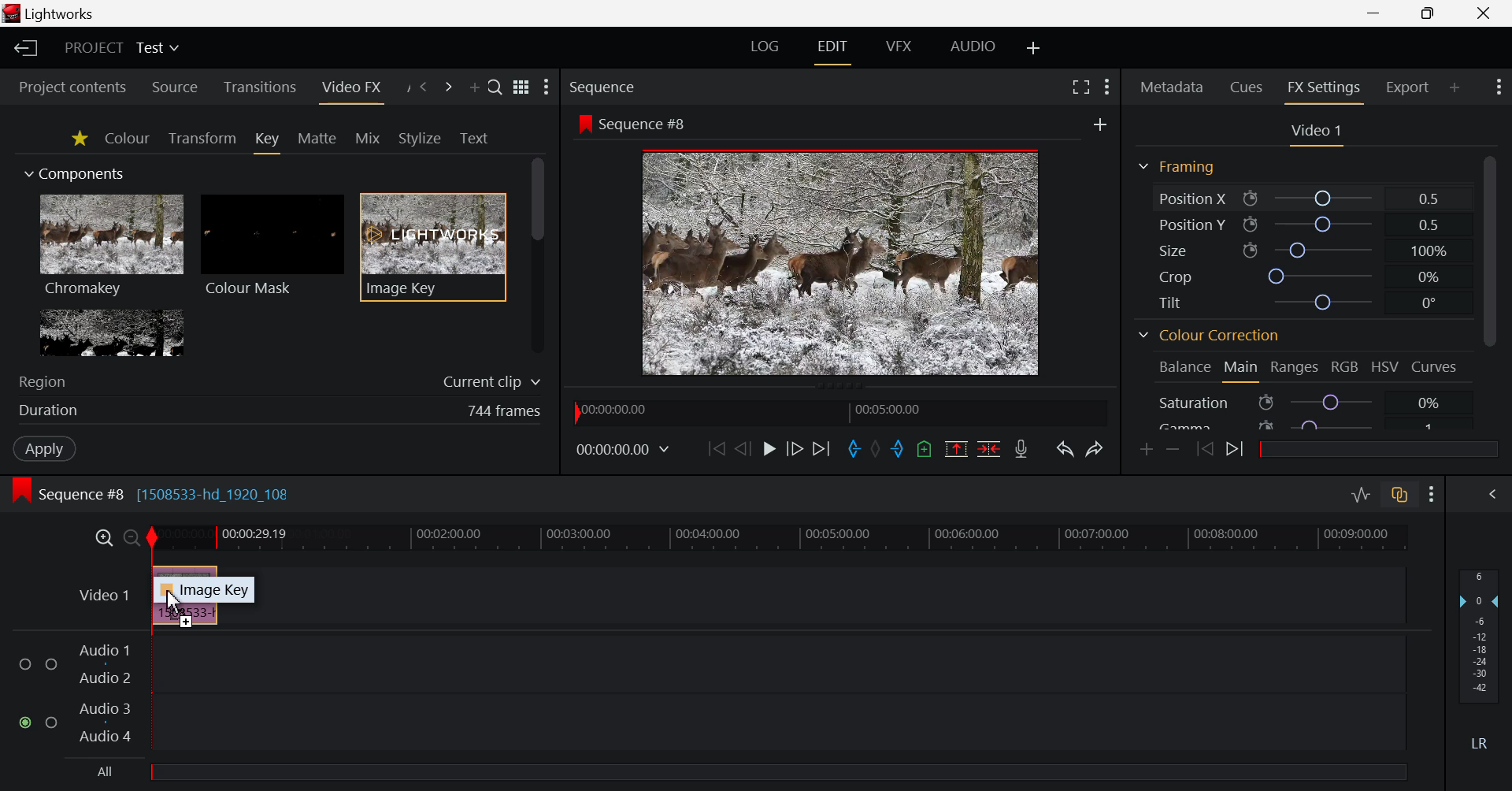 The width and height of the screenshot is (1512, 791). Describe the element at coordinates (1432, 404) in the screenshot. I see `0%` at that location.